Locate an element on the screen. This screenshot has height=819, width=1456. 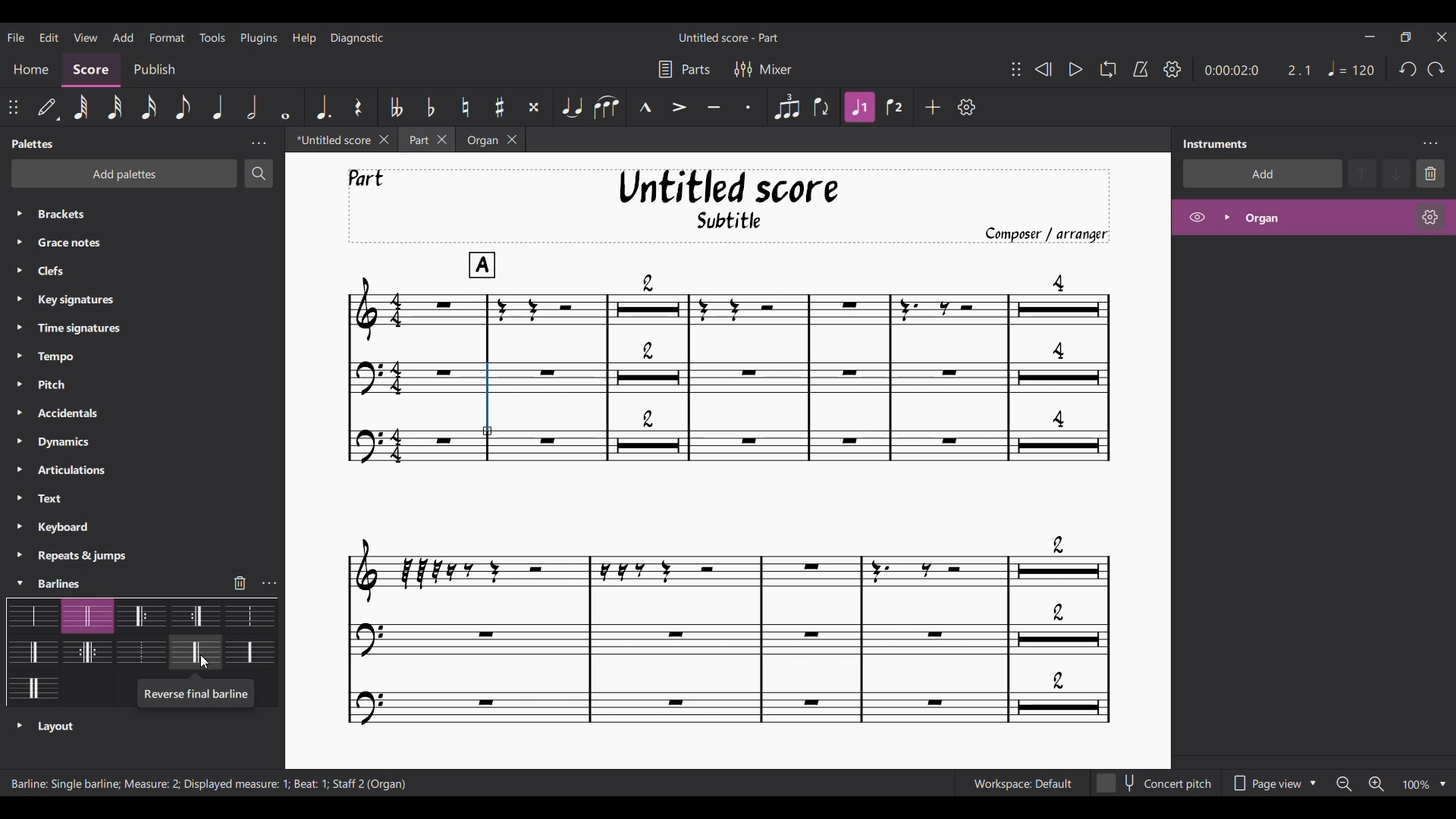
Organ tab is located at coordinates (480, 140).